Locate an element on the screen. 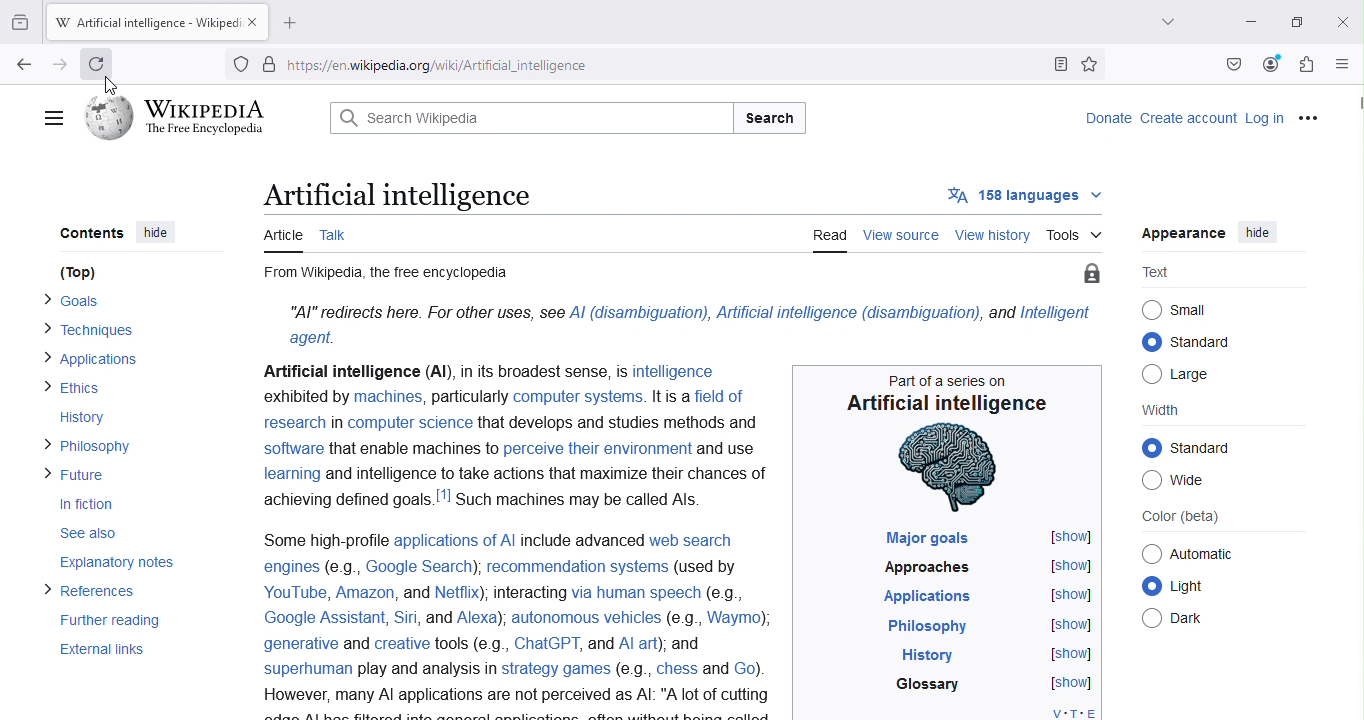  Article is located at coordinates (281, 238).